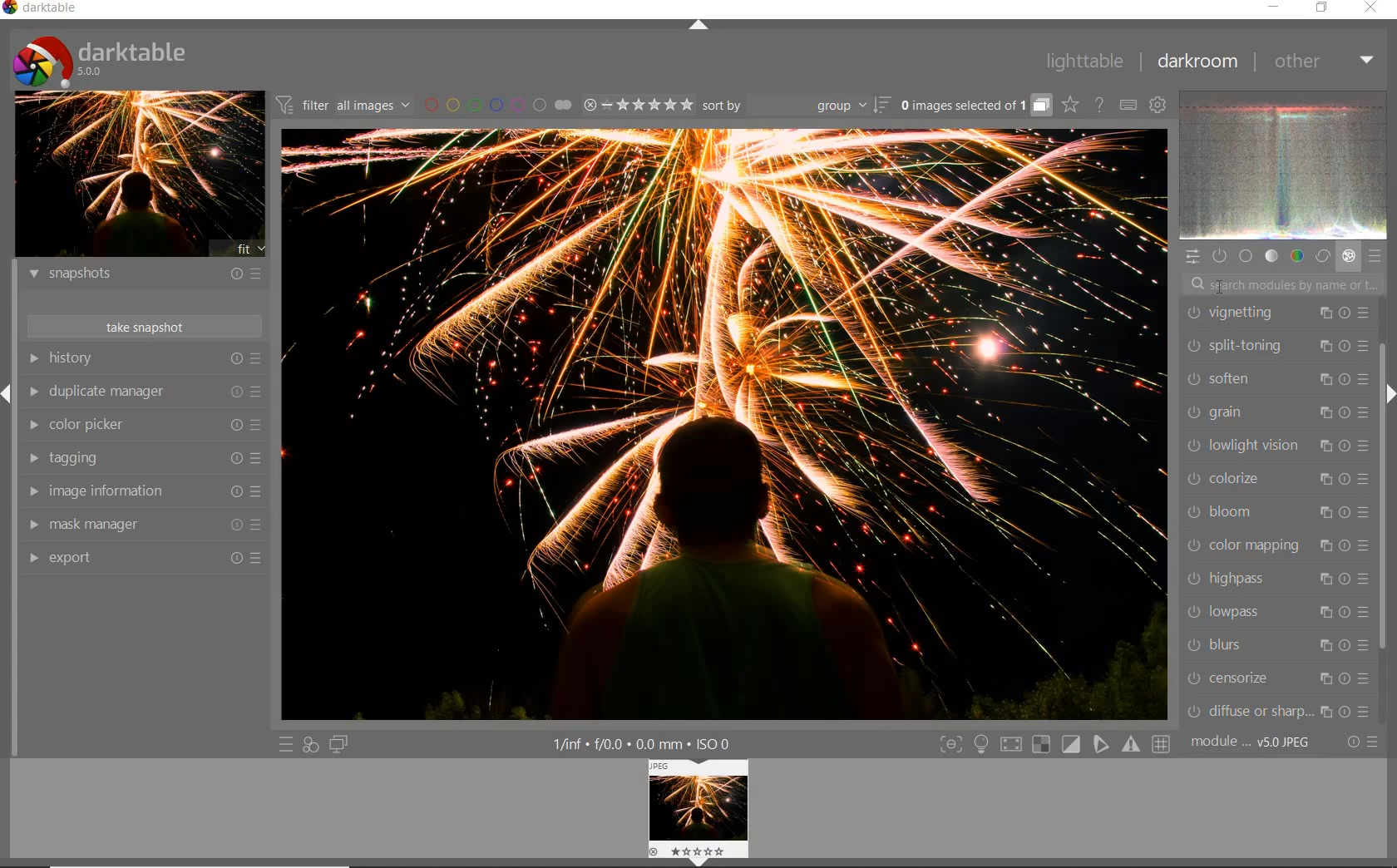 The image size is (1397, 868). What do you see at coordinates (1276, 546) in the screenshot?
I see `color mapping` at bounding box center [1276, 546].